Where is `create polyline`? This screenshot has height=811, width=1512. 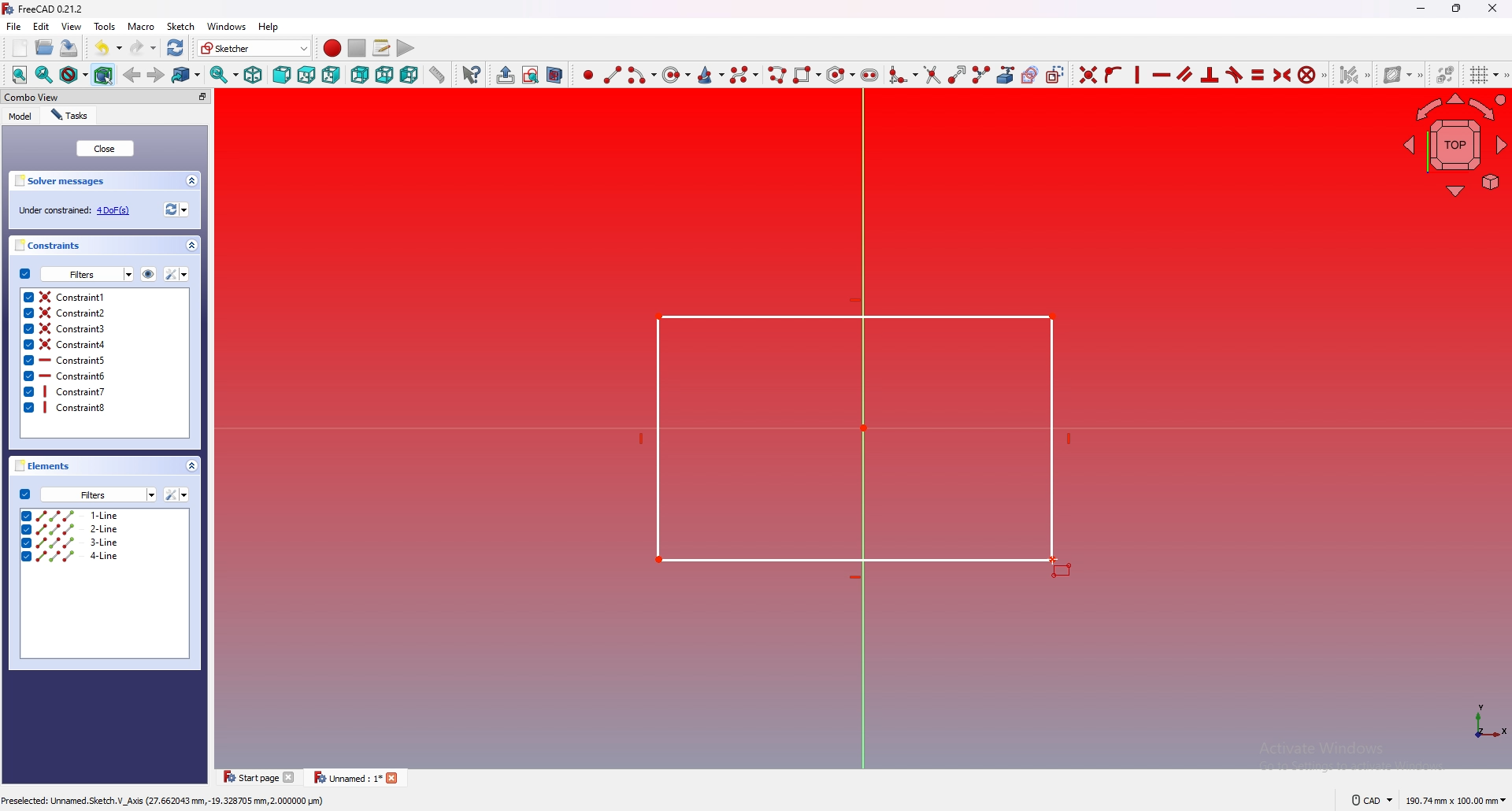
create polyline is located at coordinates (778, 75).